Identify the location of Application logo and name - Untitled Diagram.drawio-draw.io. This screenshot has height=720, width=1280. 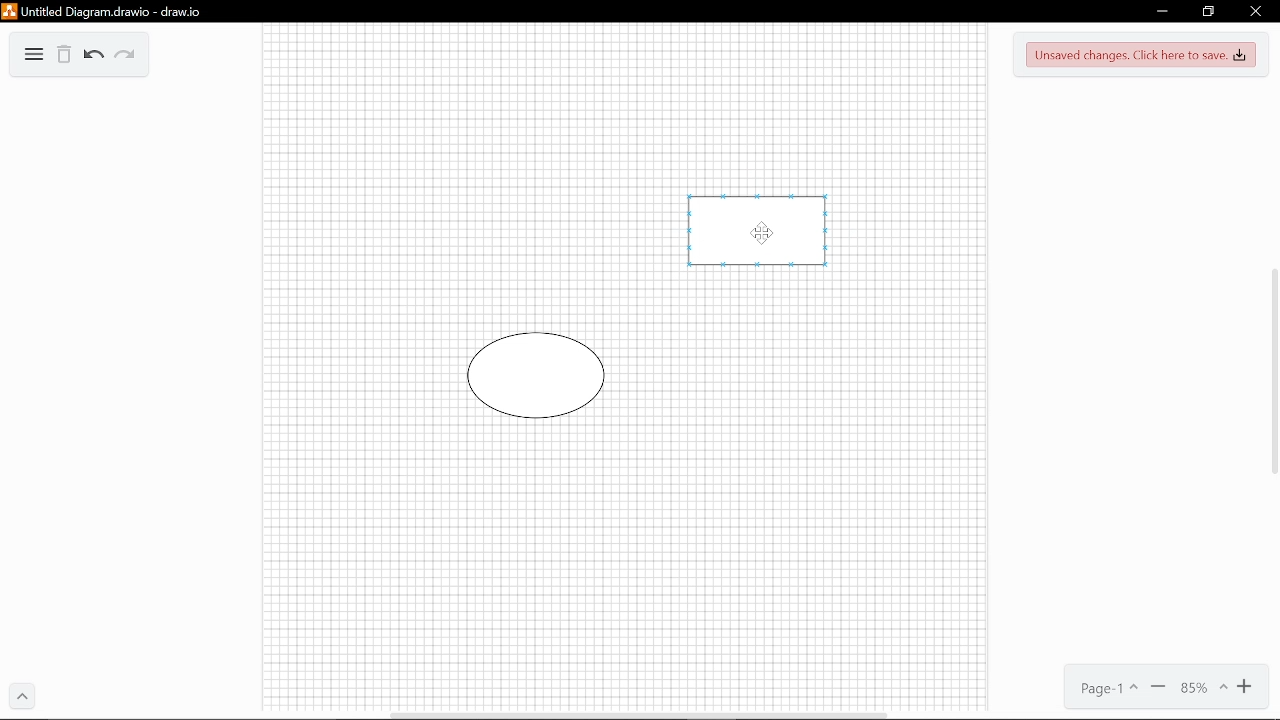
(104, 16).